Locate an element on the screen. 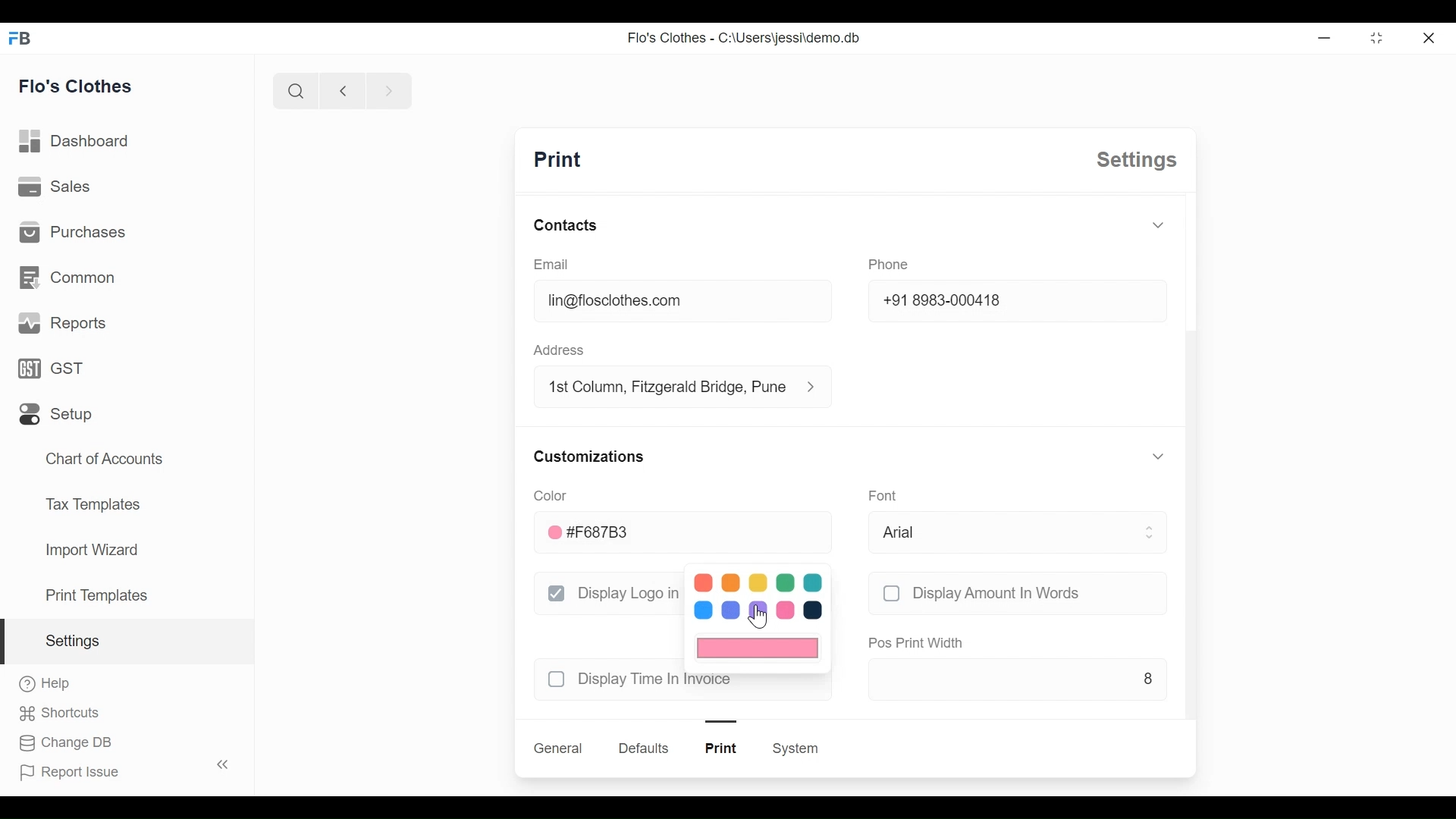 This screenshot has width=1456, height=819. dashboard is located at coordinates (75, 141).